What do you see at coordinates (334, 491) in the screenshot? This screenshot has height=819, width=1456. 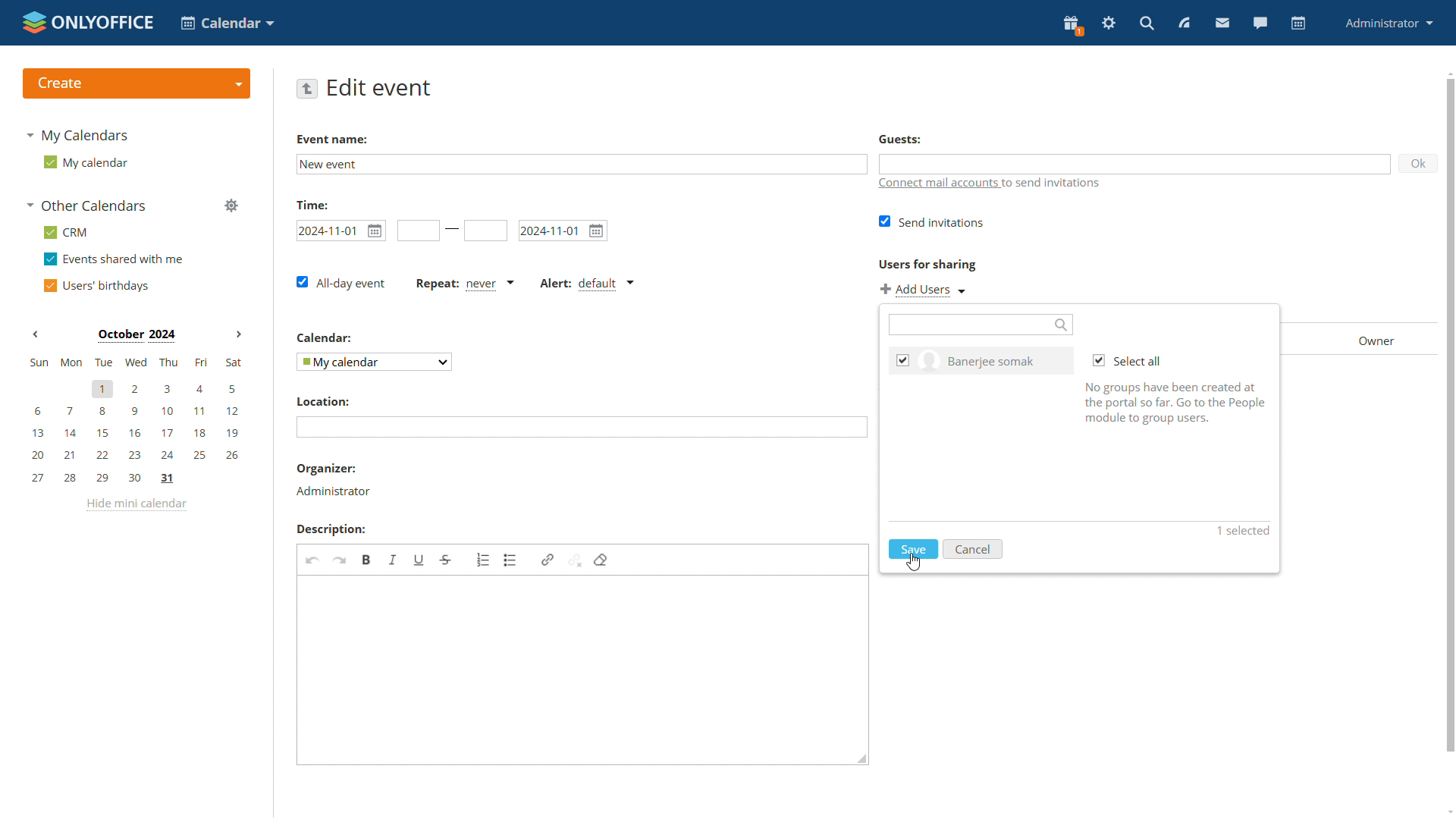 I see `organizer` at bounding box center [334, 491].